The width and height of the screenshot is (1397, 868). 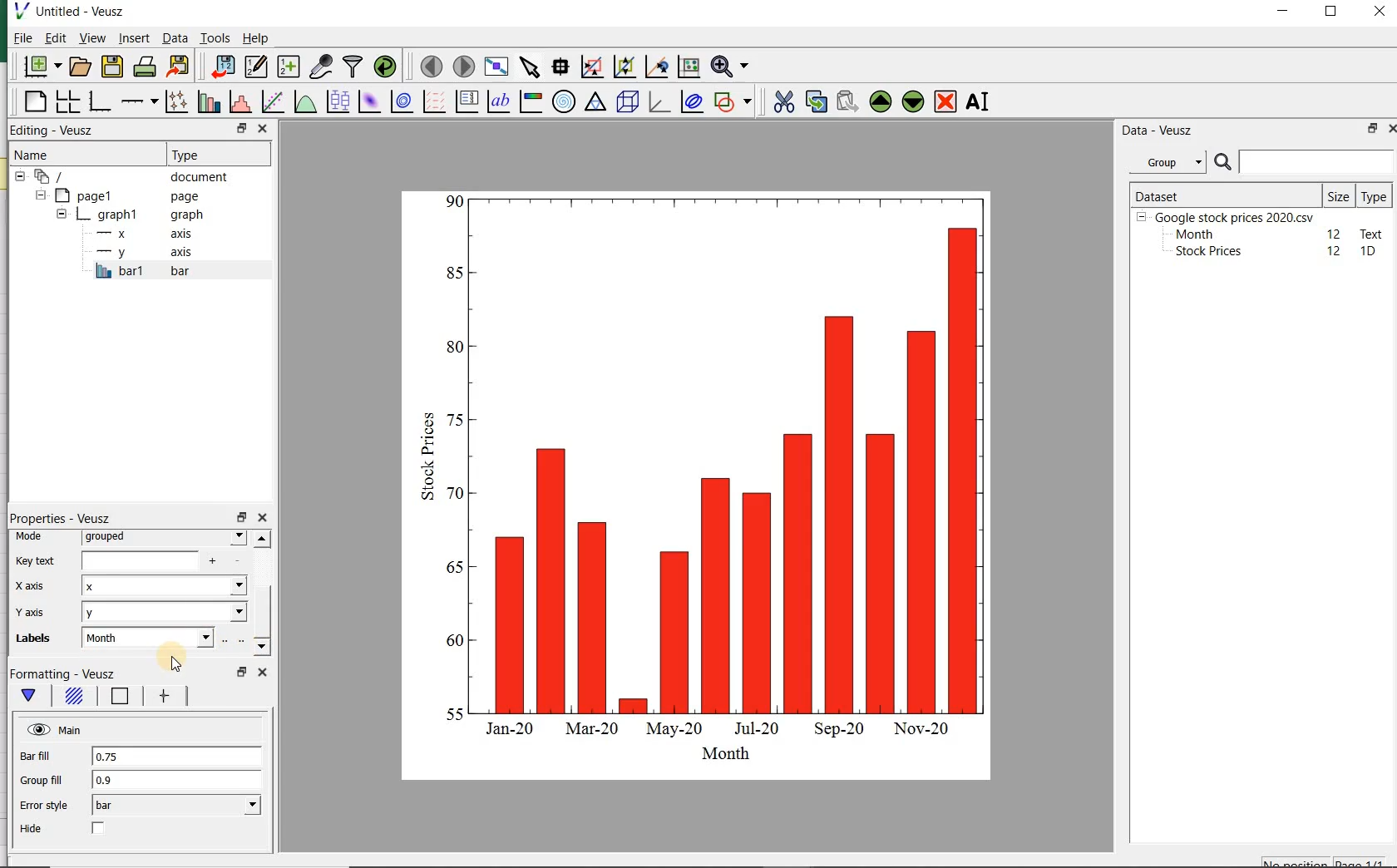 What do you see at coordinates (164, 584) in the screenshot?
I see `x` at bounding box center [164, 584].